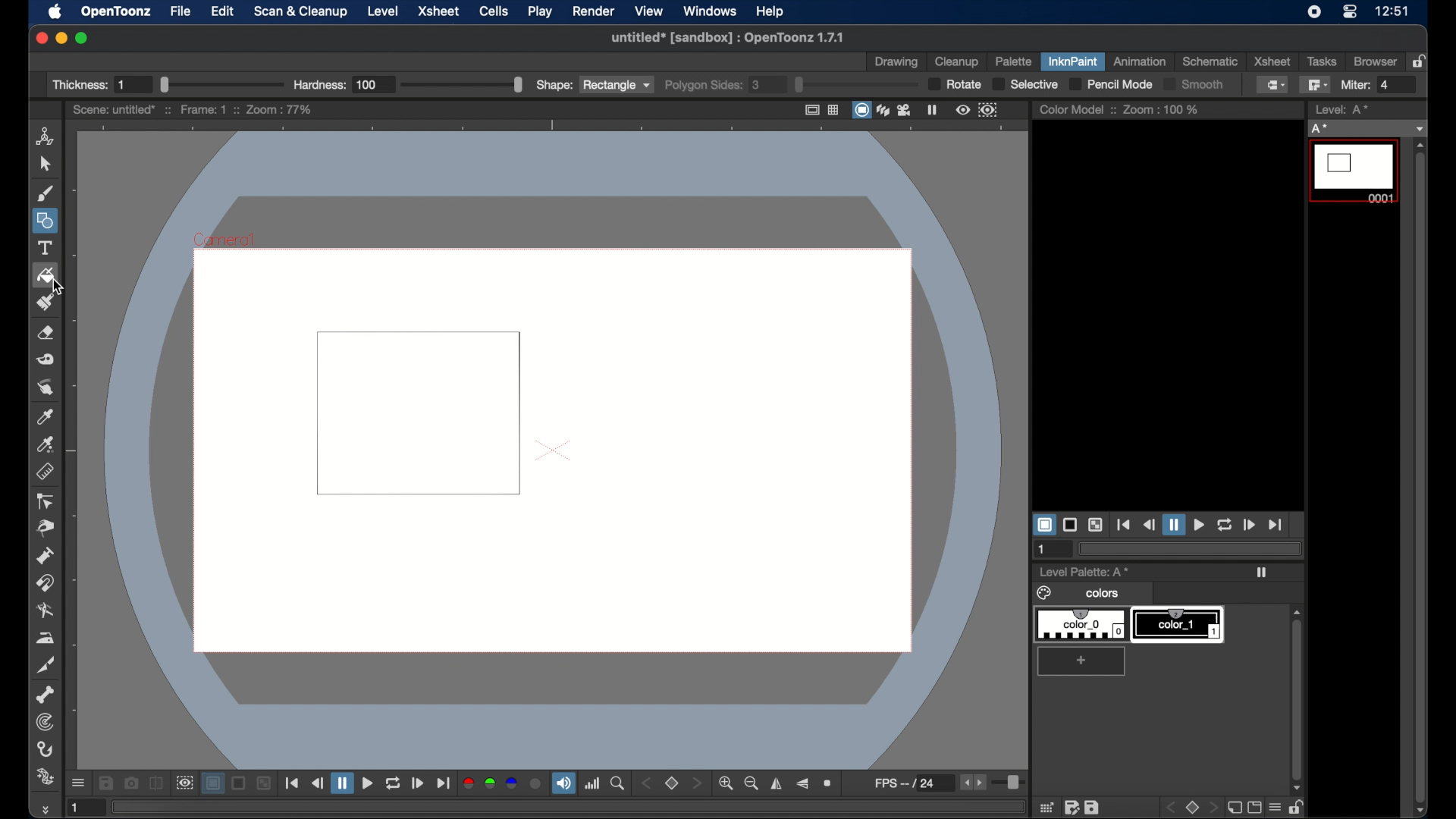 The height and width of the screenshot is (819, 1456). I want to click on palette, so click(1013, 63).